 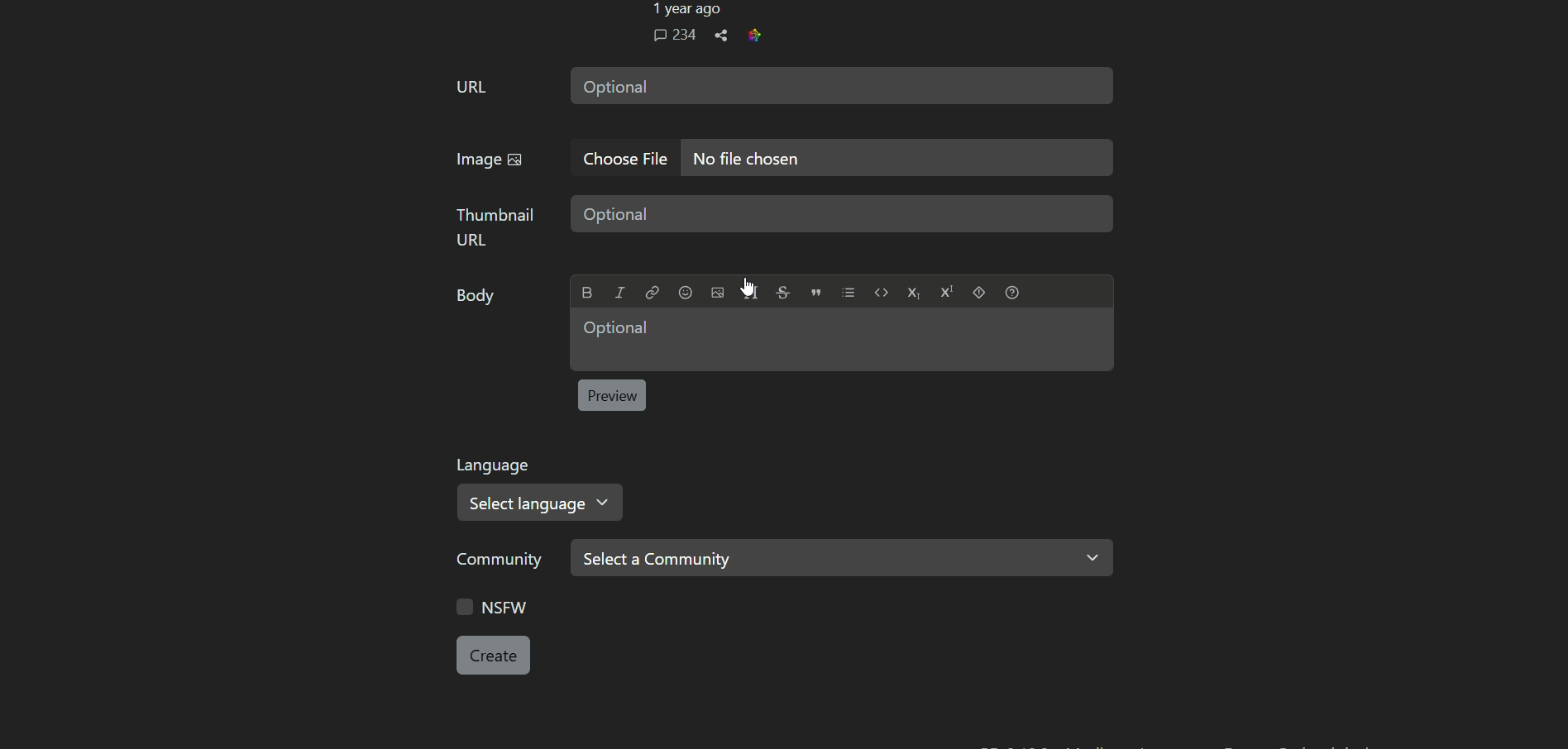 I want to click on Language, so click(x=496, y=465).